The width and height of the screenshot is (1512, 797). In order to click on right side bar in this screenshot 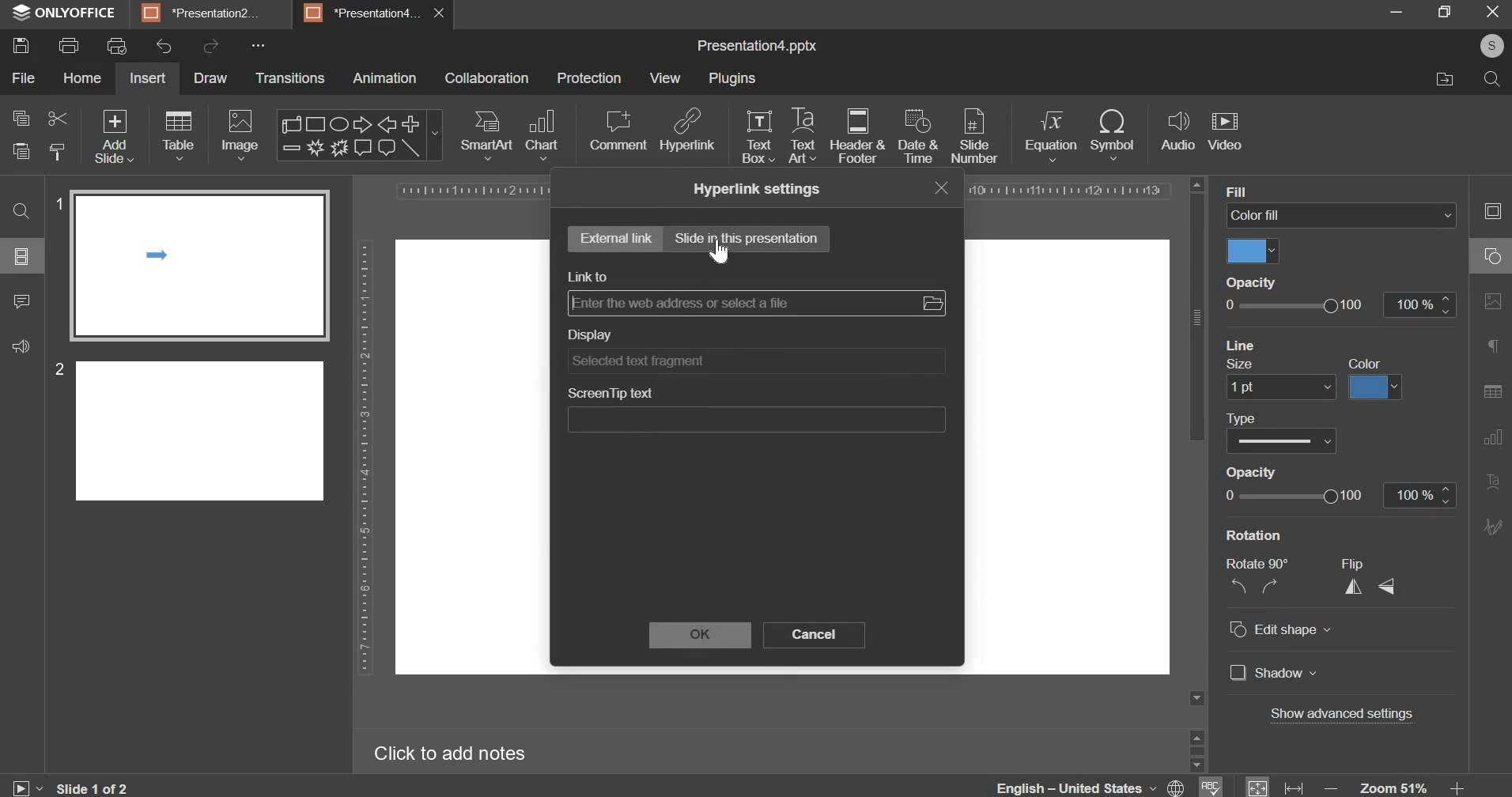, I will do `click(1489, 365)`.